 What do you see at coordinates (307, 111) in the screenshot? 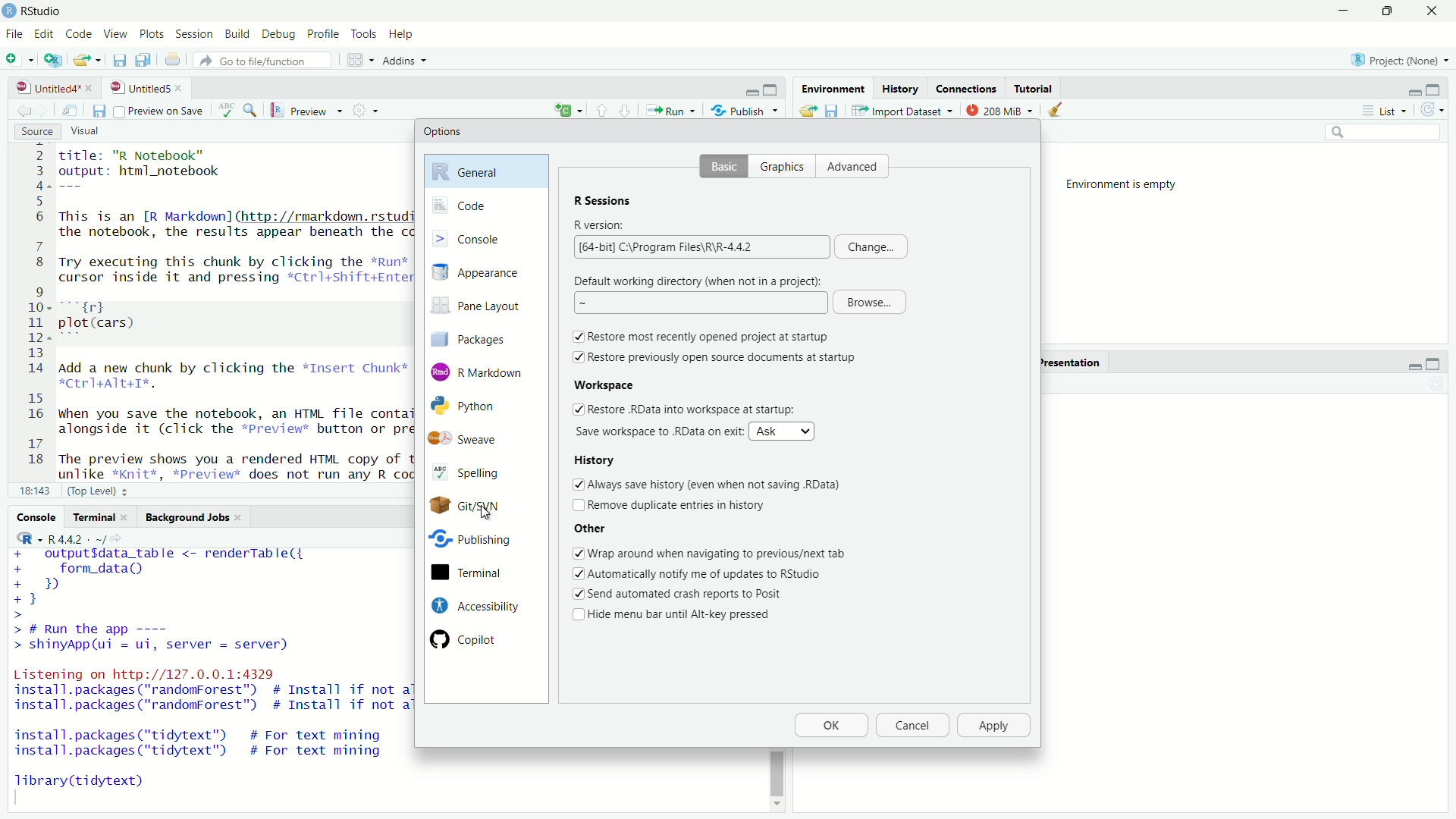
I see `Preview` at bounding box center [307, 111].